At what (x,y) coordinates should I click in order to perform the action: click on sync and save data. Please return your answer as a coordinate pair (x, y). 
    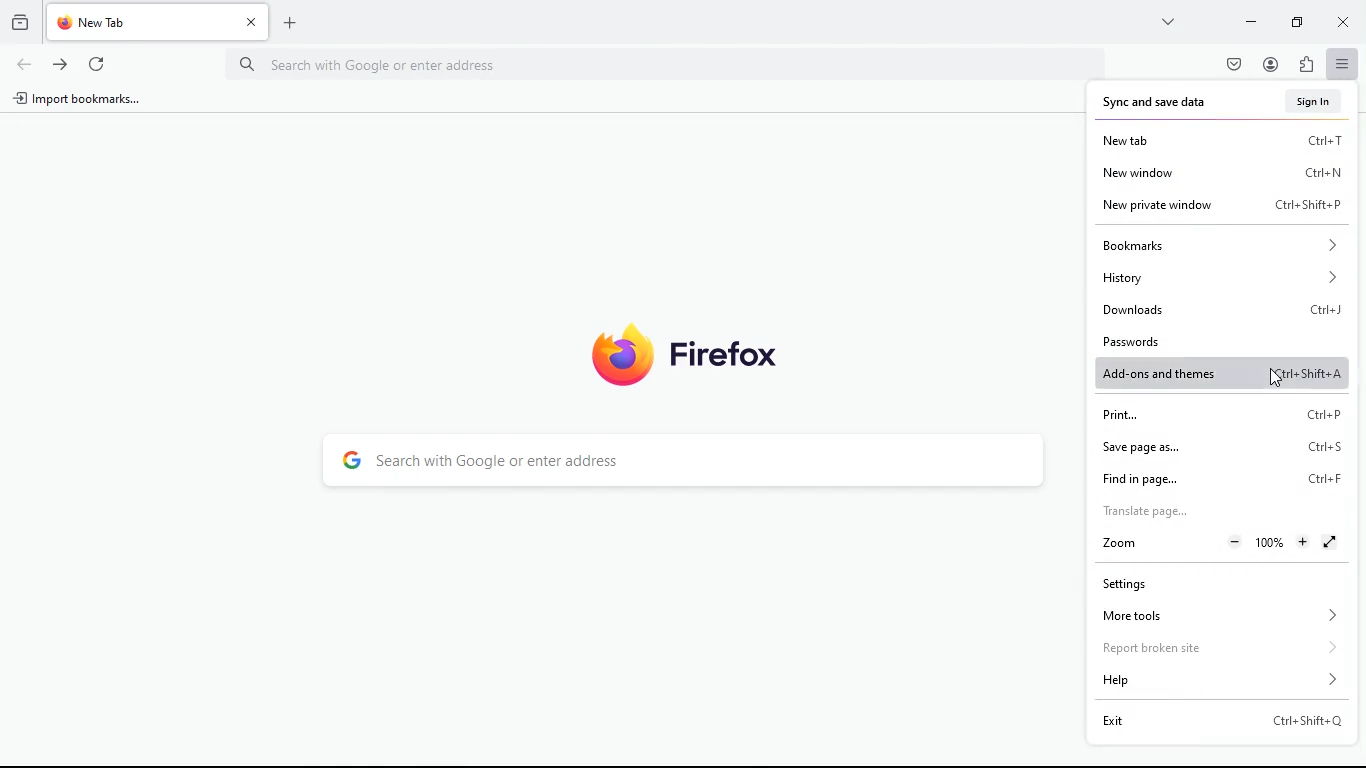
    Looking at the image, I should click on (1165, 101).